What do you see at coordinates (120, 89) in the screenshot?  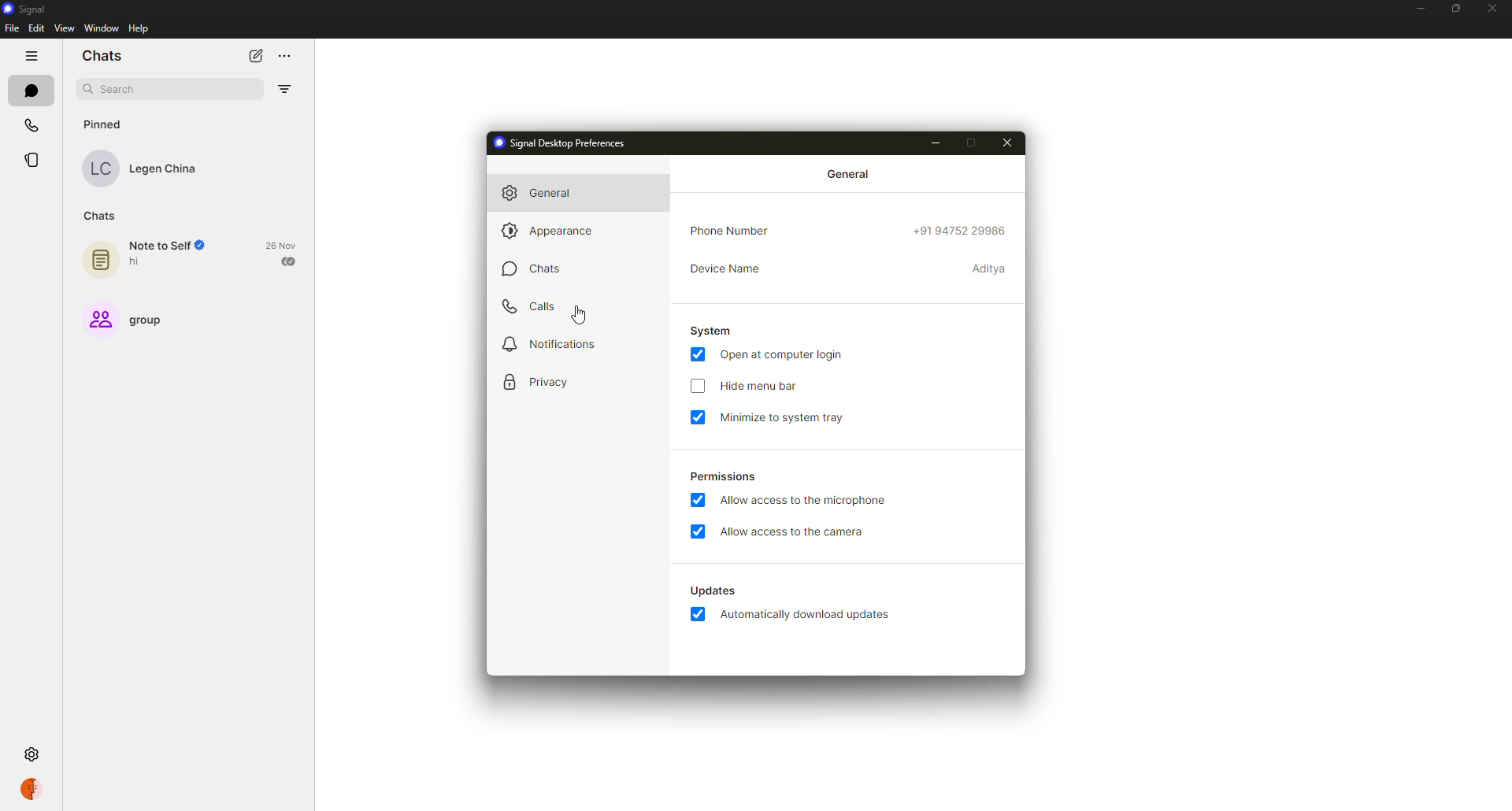 I see `search` at bounding box center [120, 89].